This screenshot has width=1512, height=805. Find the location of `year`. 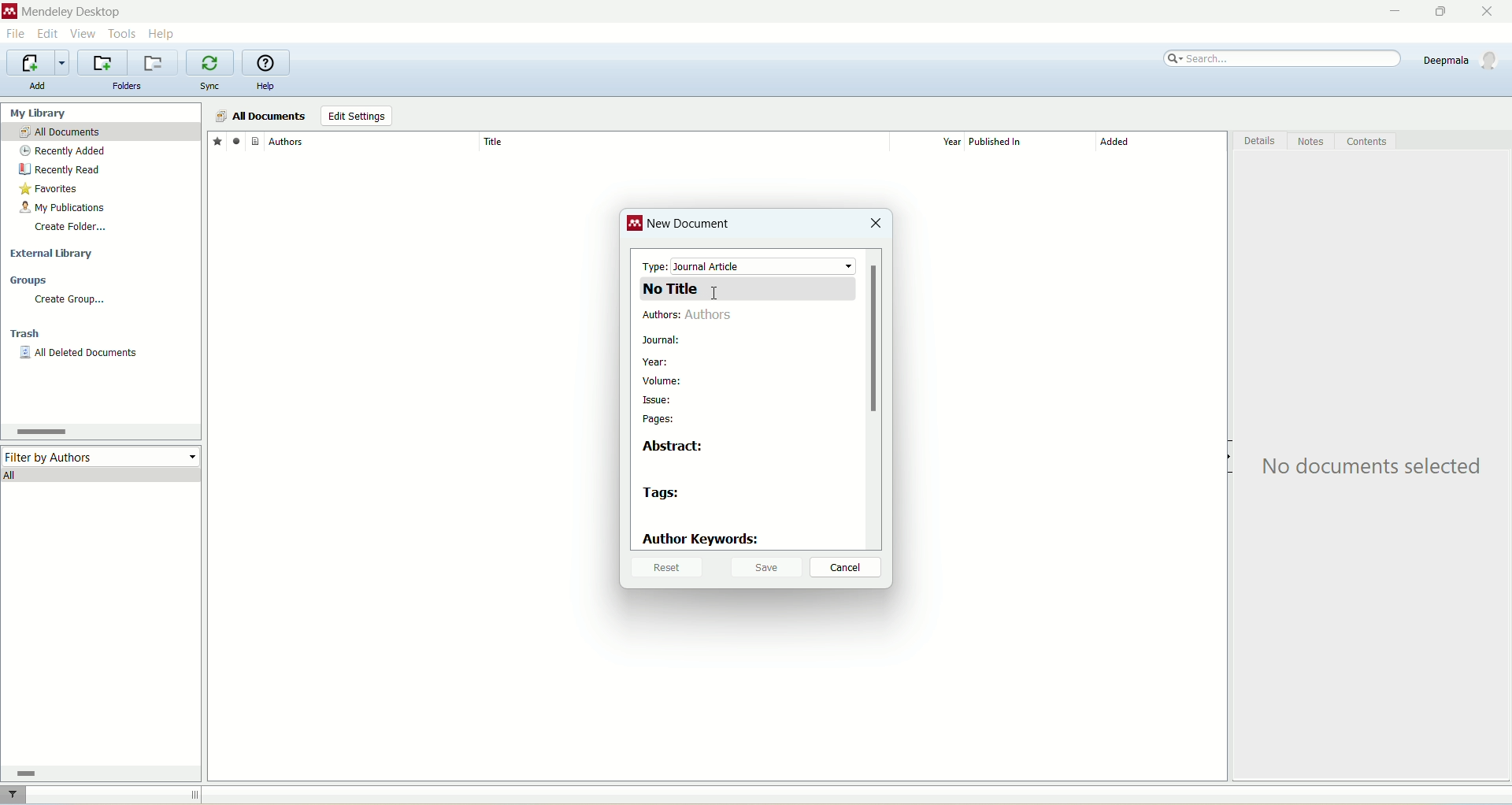

year is located at coordinates (655, 363).